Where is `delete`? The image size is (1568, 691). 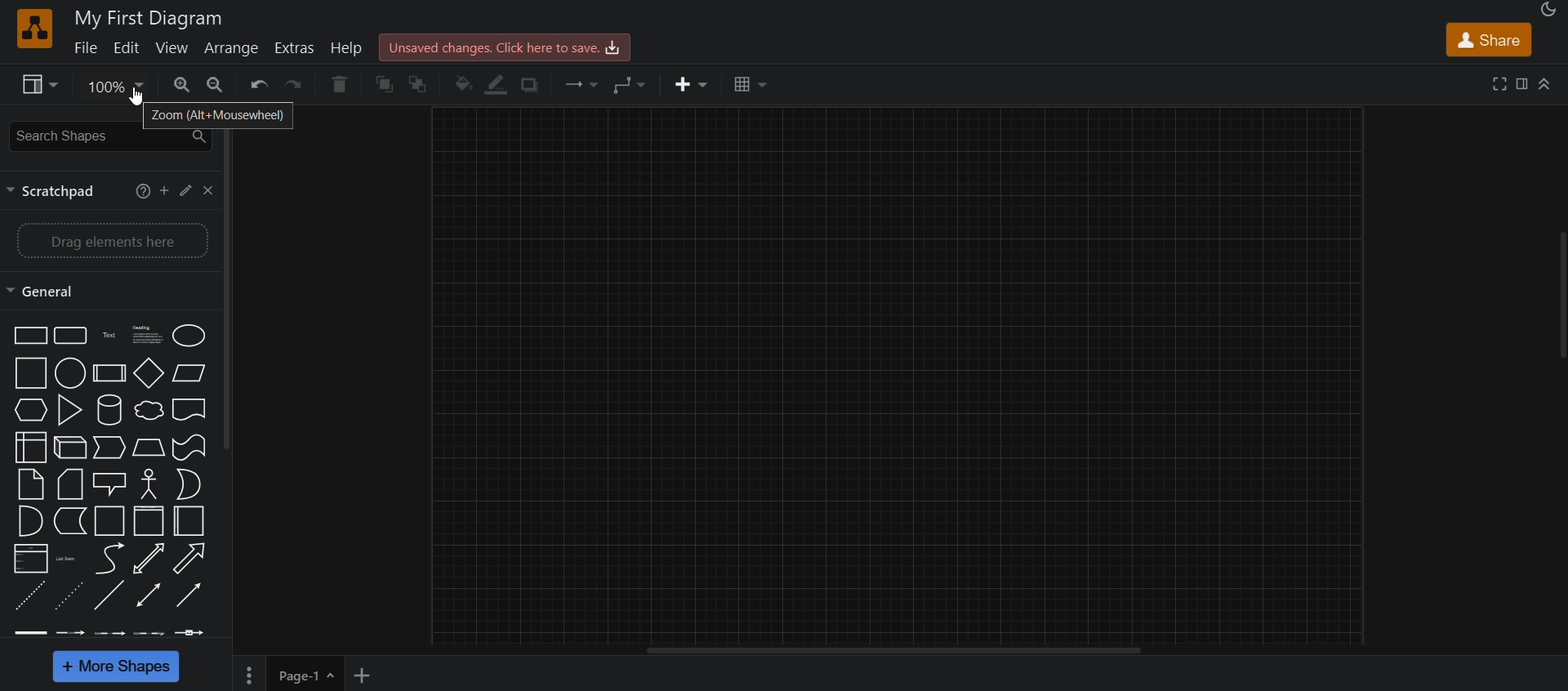 delete is located at coordinates (340, 86).